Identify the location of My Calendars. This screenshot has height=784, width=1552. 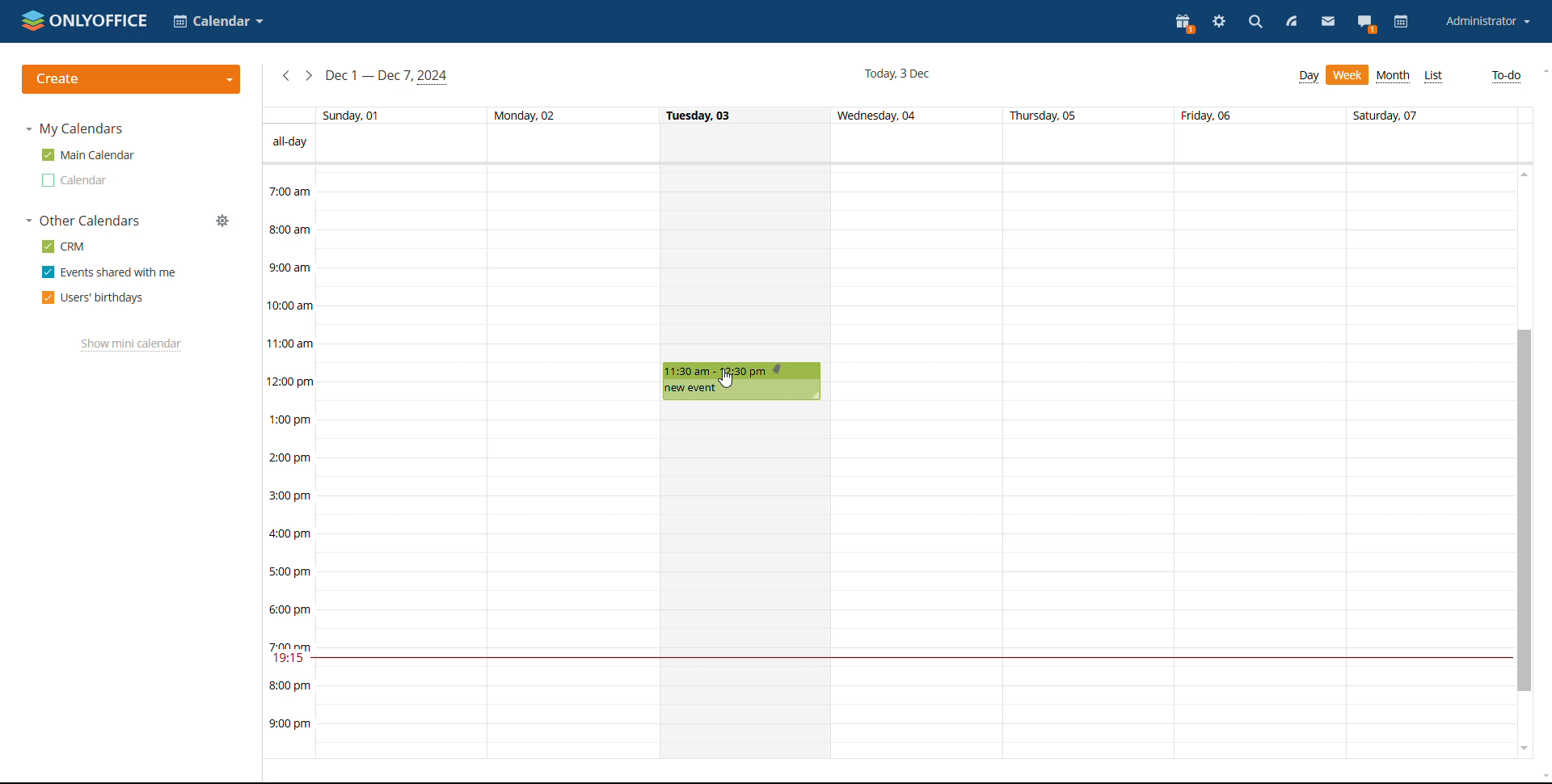
(76, 130).